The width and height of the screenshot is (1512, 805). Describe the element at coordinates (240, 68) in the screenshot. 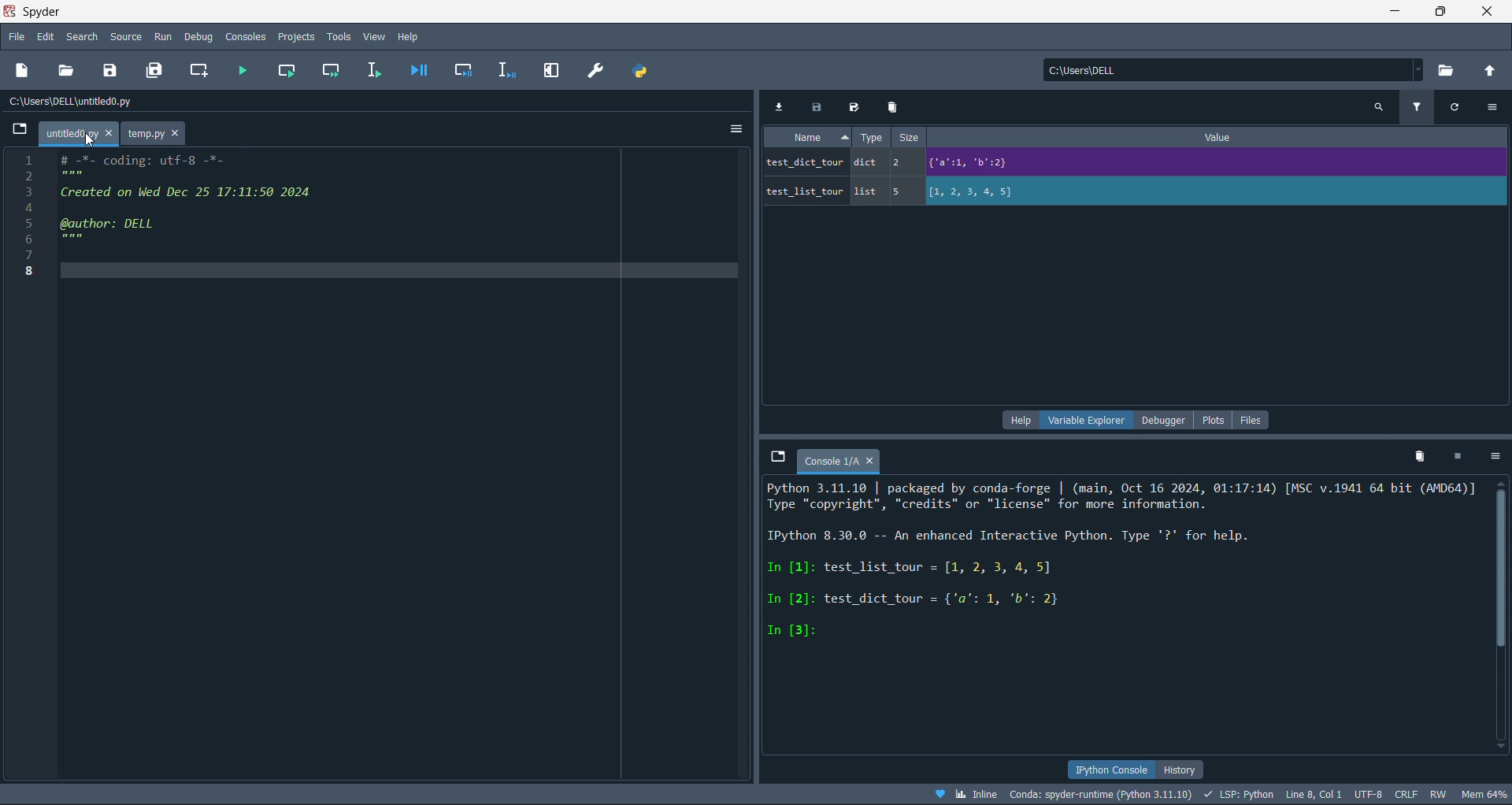

I see `run file` at that location.